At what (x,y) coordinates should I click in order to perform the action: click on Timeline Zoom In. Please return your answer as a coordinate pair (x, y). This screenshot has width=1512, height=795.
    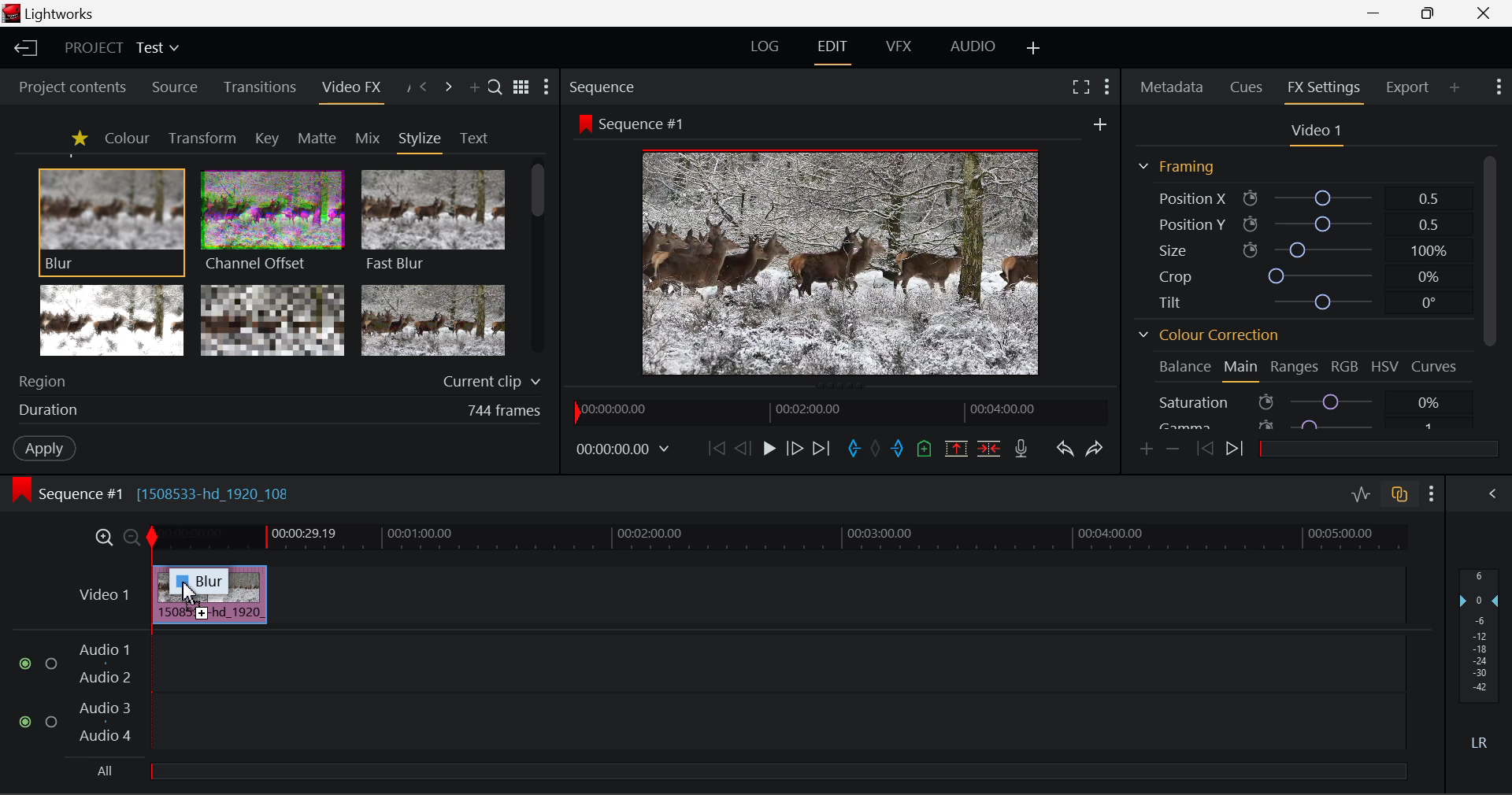
    Looking at the image, I should click on (103, 538).